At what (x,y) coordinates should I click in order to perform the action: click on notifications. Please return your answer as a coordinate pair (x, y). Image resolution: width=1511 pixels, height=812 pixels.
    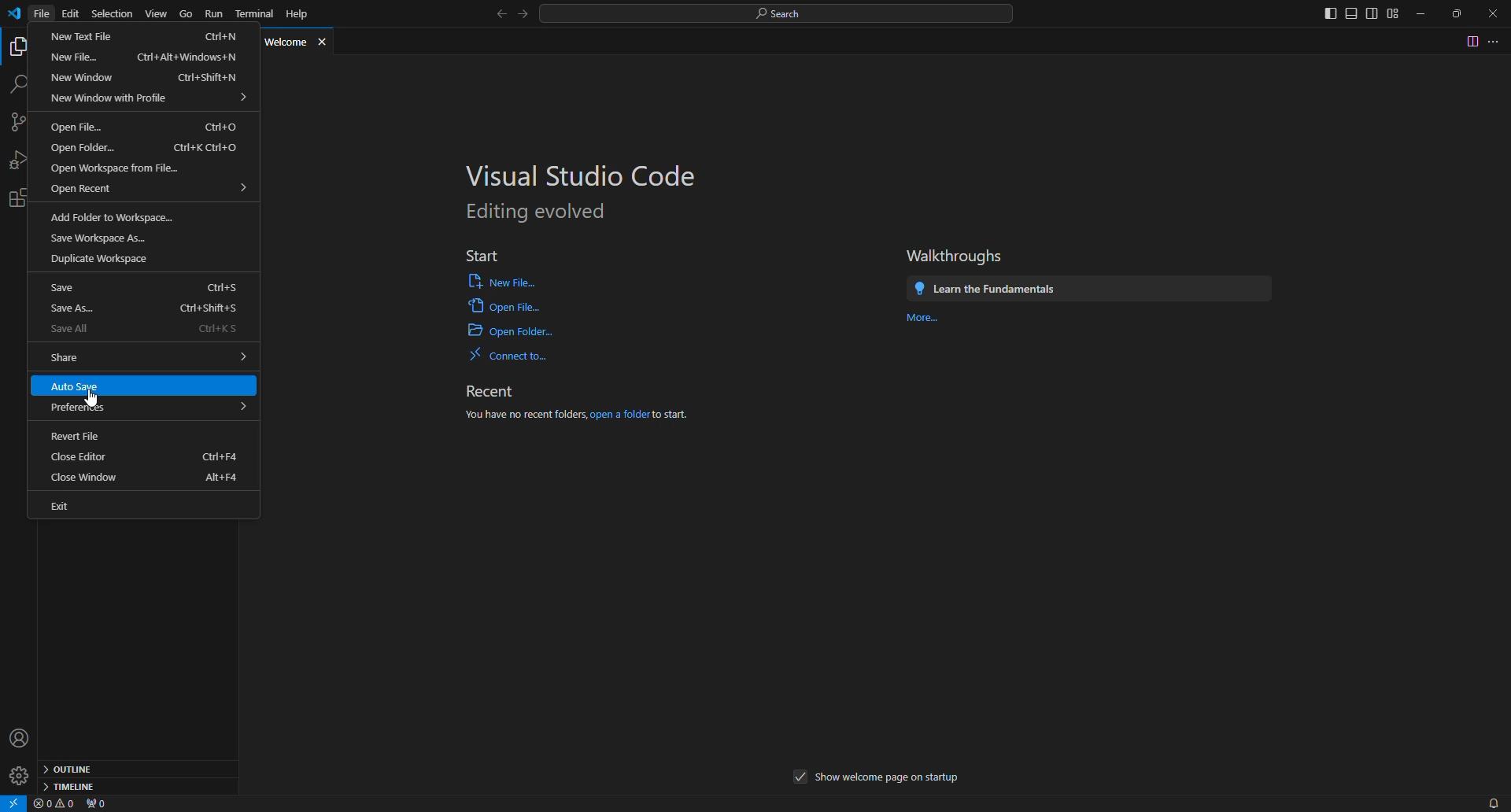
    Looking at the image, I should click on (1488, 802).